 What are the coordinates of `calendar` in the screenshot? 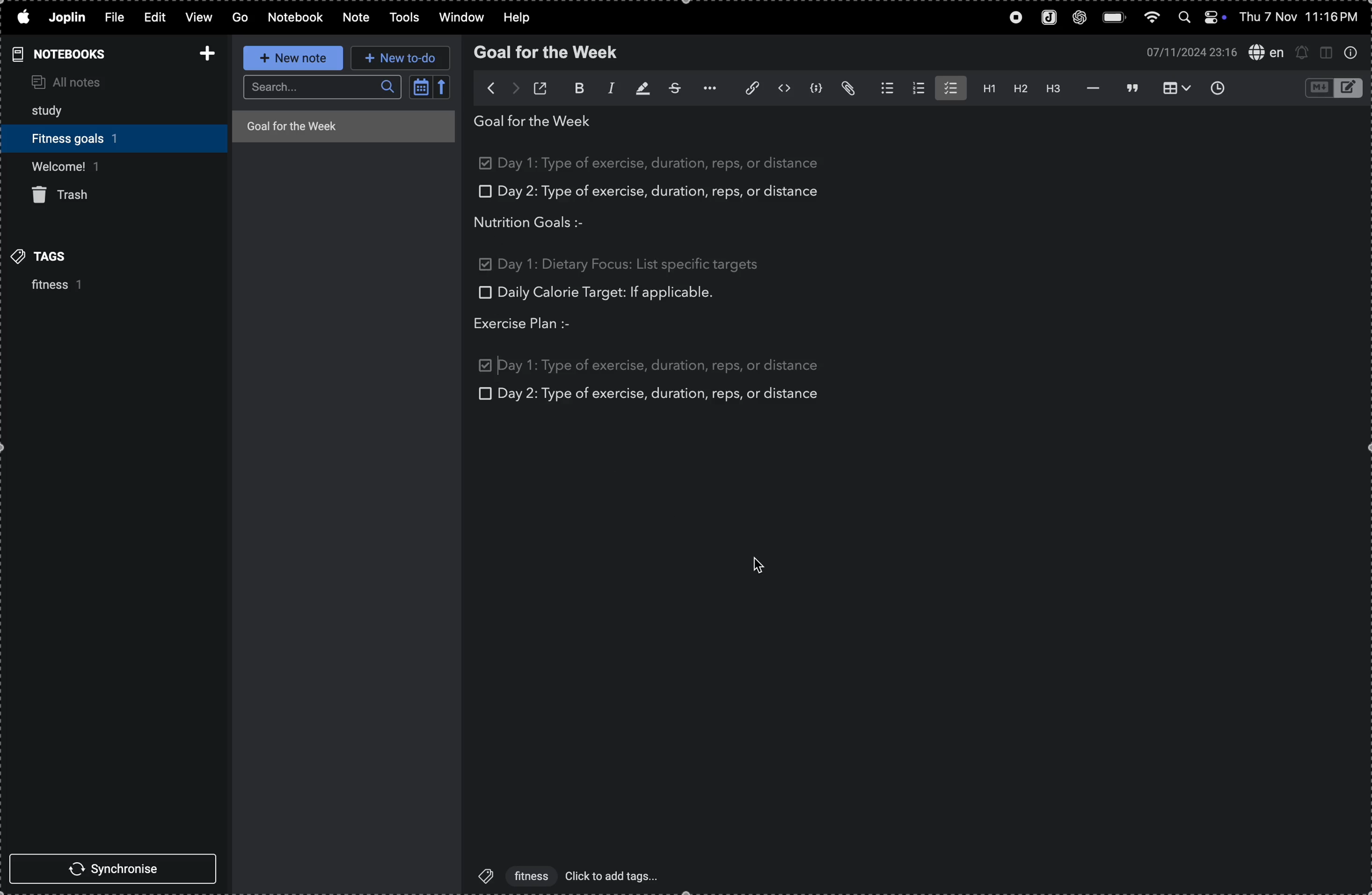 It's located at (430, 89).